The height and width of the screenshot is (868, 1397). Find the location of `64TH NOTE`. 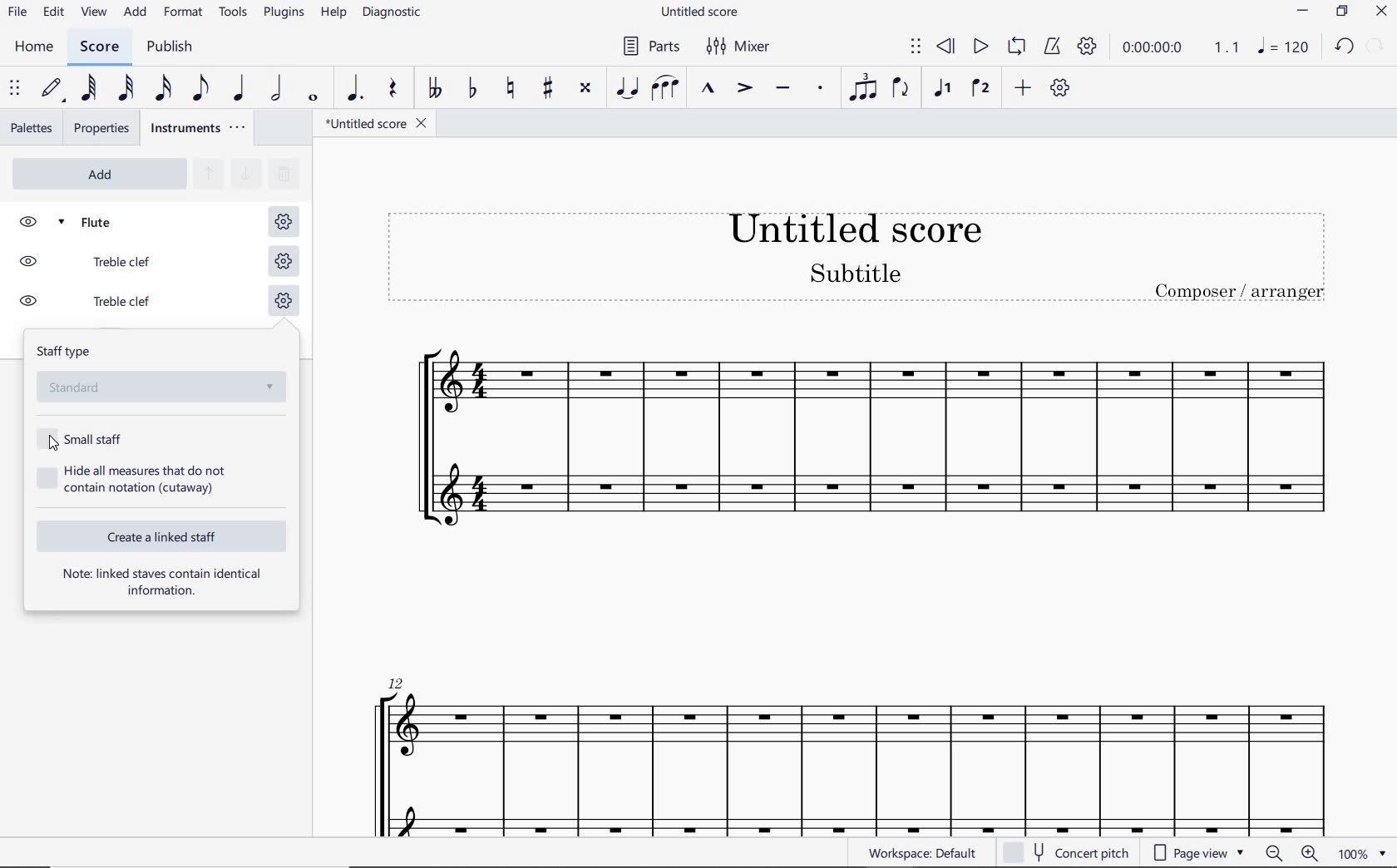

64TH NOTE is located at coordinates (90, 88).